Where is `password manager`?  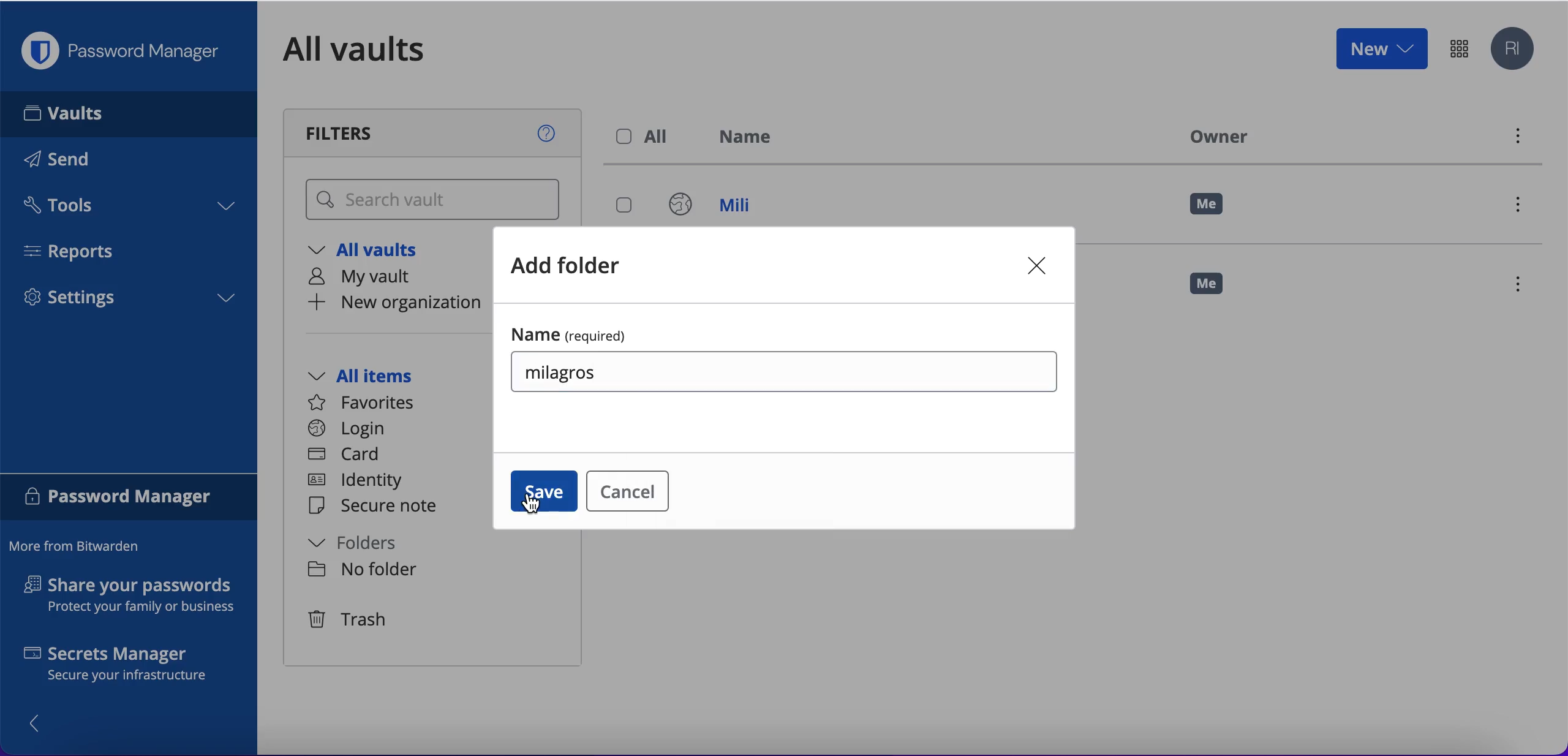 password manager is located at coordinates (129, 499).